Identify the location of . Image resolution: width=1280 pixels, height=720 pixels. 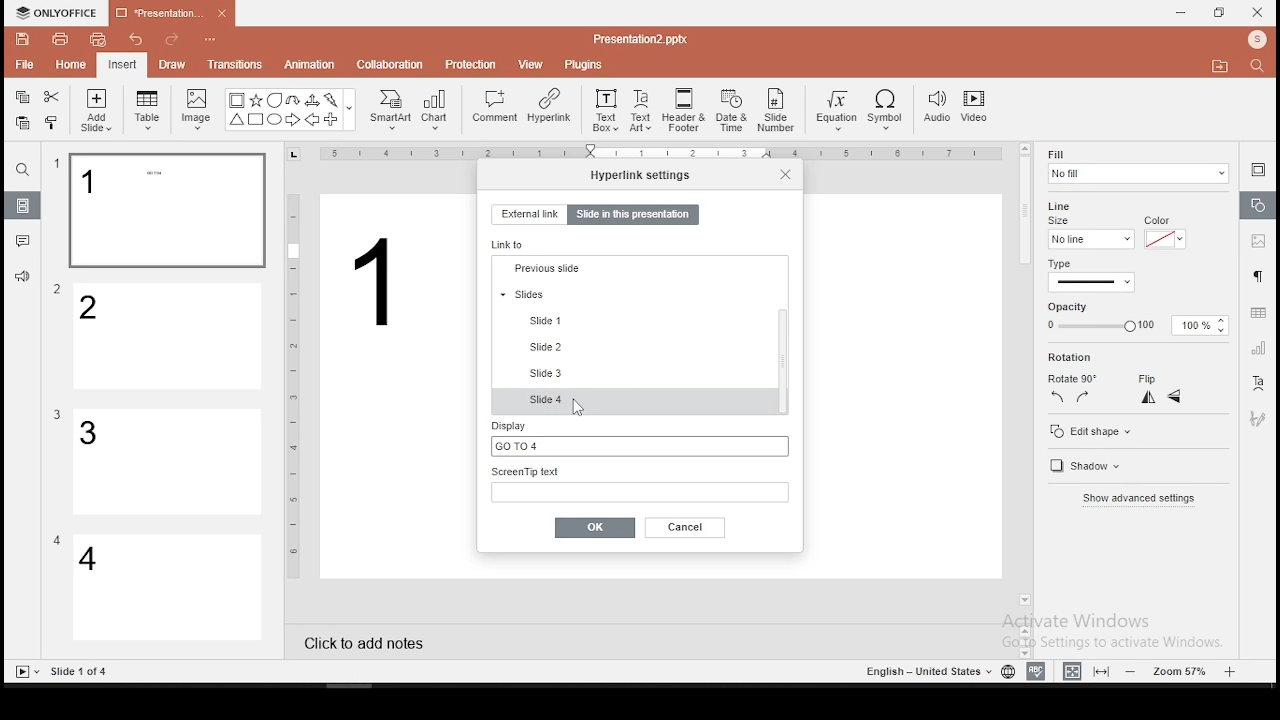
(57, 164).